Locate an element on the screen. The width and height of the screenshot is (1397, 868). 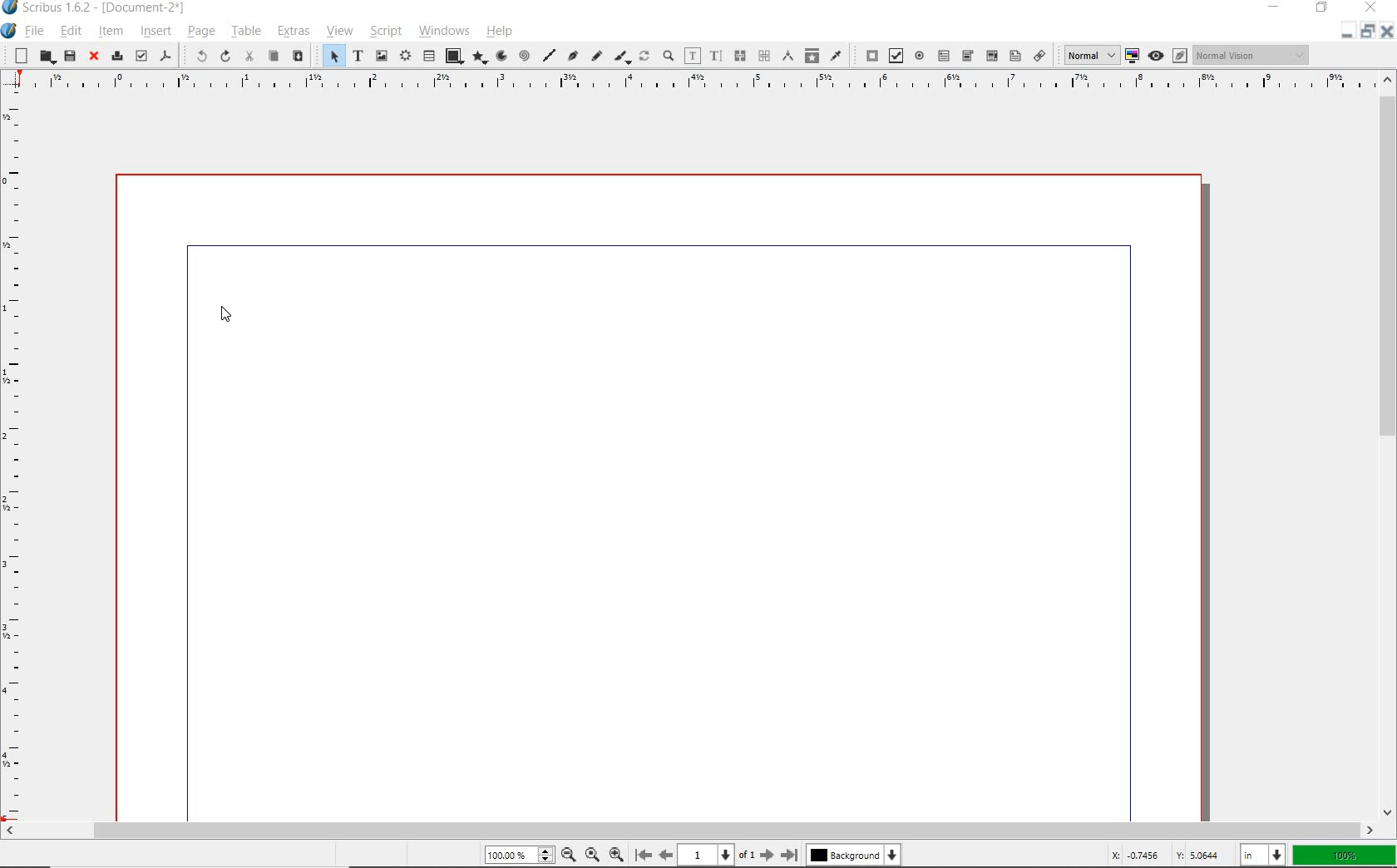
visual appearance of display is located at coordinates (1254, 54).